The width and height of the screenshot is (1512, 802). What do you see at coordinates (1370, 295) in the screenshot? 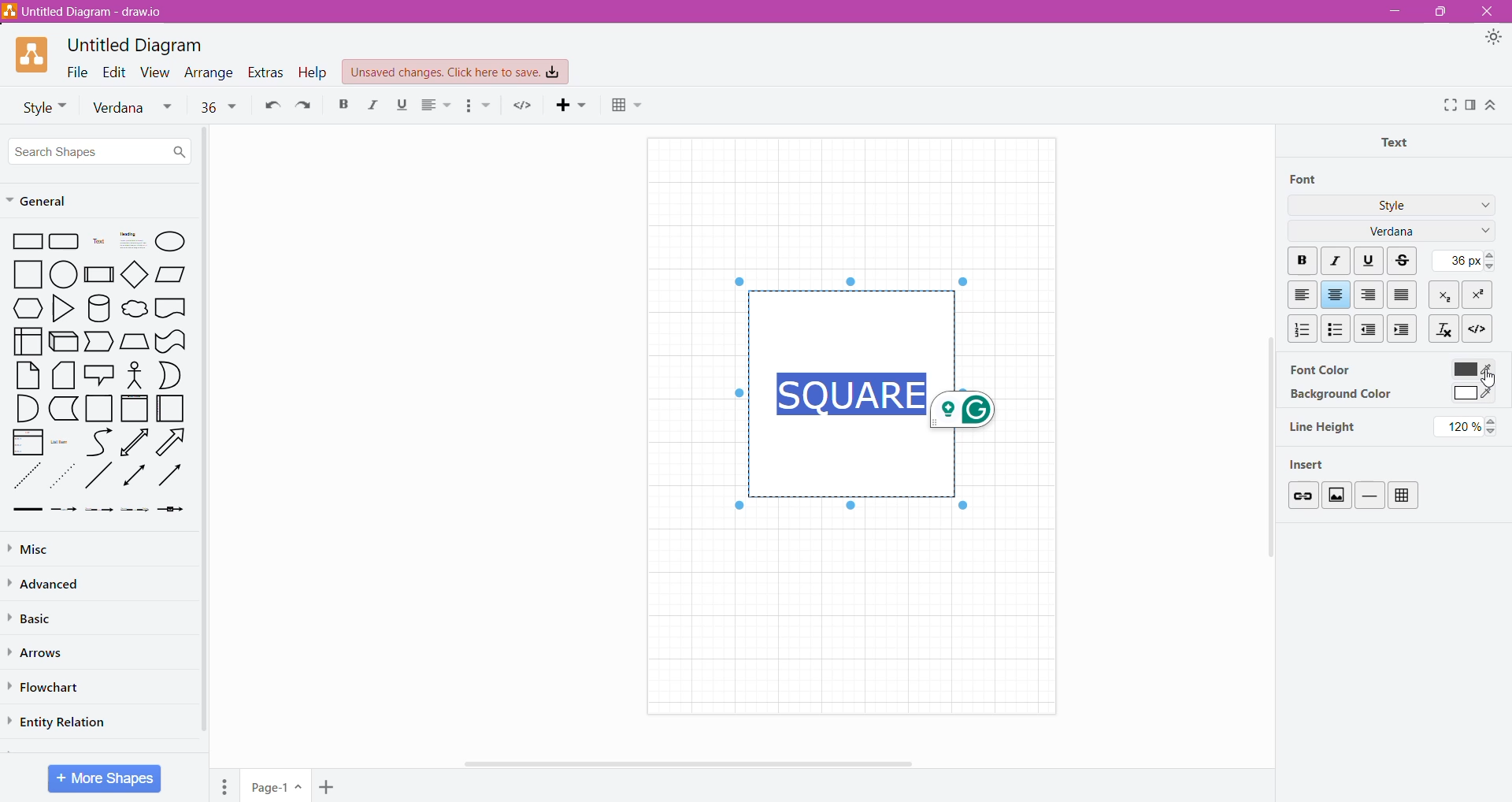
I see `Right` at bounding box center [1370, 295].